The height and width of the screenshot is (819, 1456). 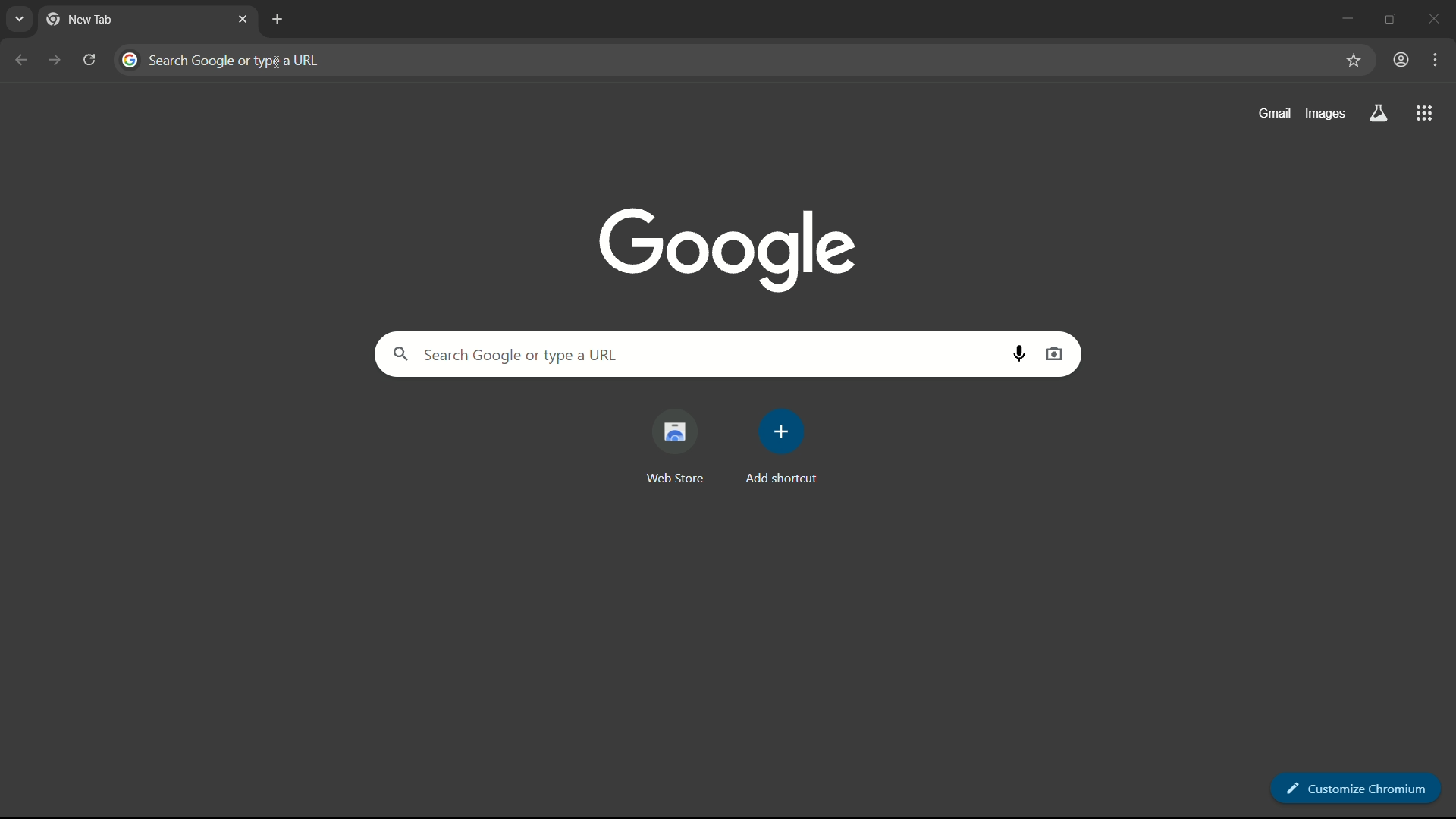 I want to click on add shortcut, so click(x=783, y=447).